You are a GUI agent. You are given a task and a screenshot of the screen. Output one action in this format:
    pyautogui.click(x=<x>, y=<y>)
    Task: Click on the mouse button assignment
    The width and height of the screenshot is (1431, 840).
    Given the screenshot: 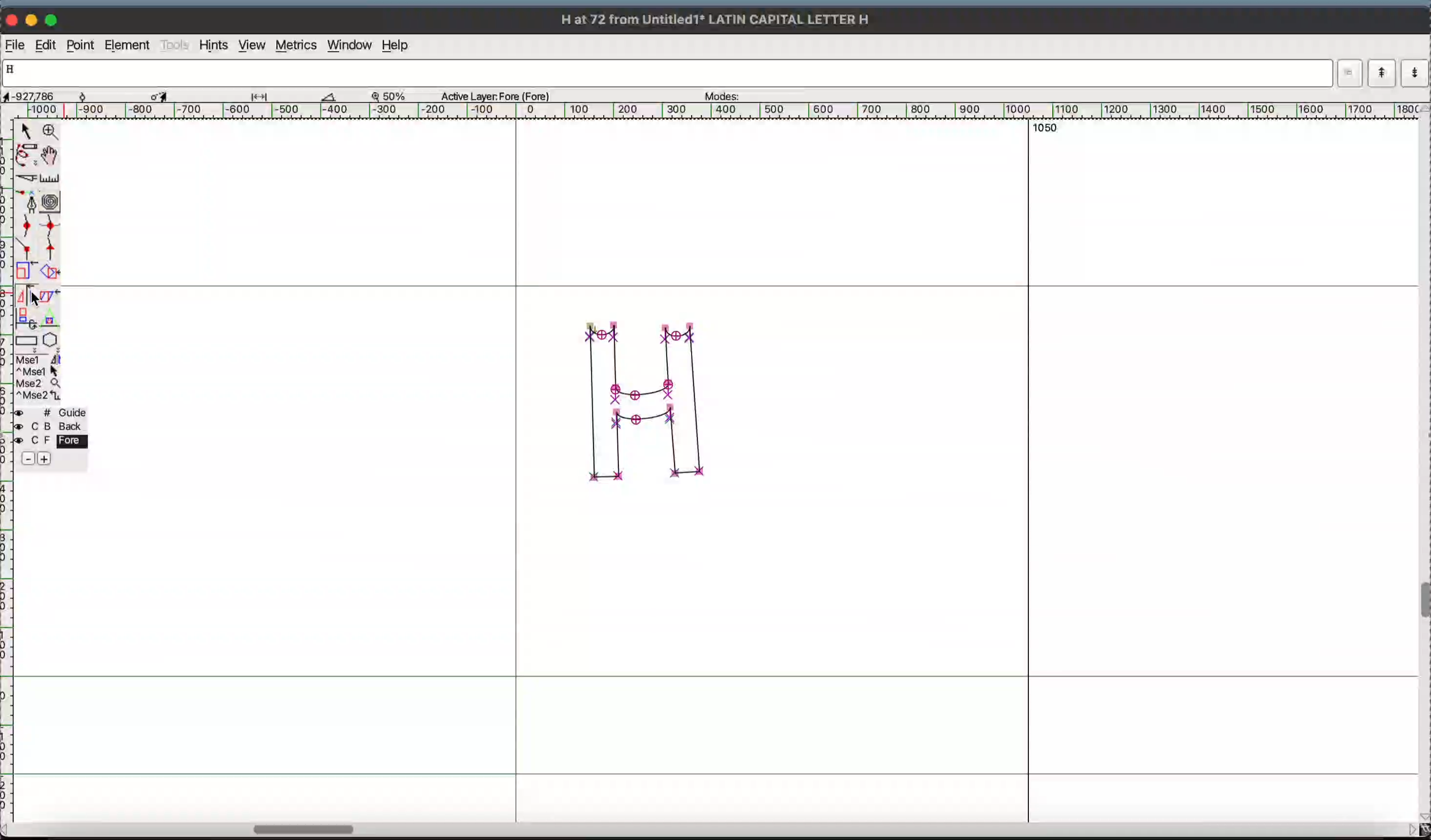 What is the action you would take?
    pyautogui.click(x=39, y=377)
    